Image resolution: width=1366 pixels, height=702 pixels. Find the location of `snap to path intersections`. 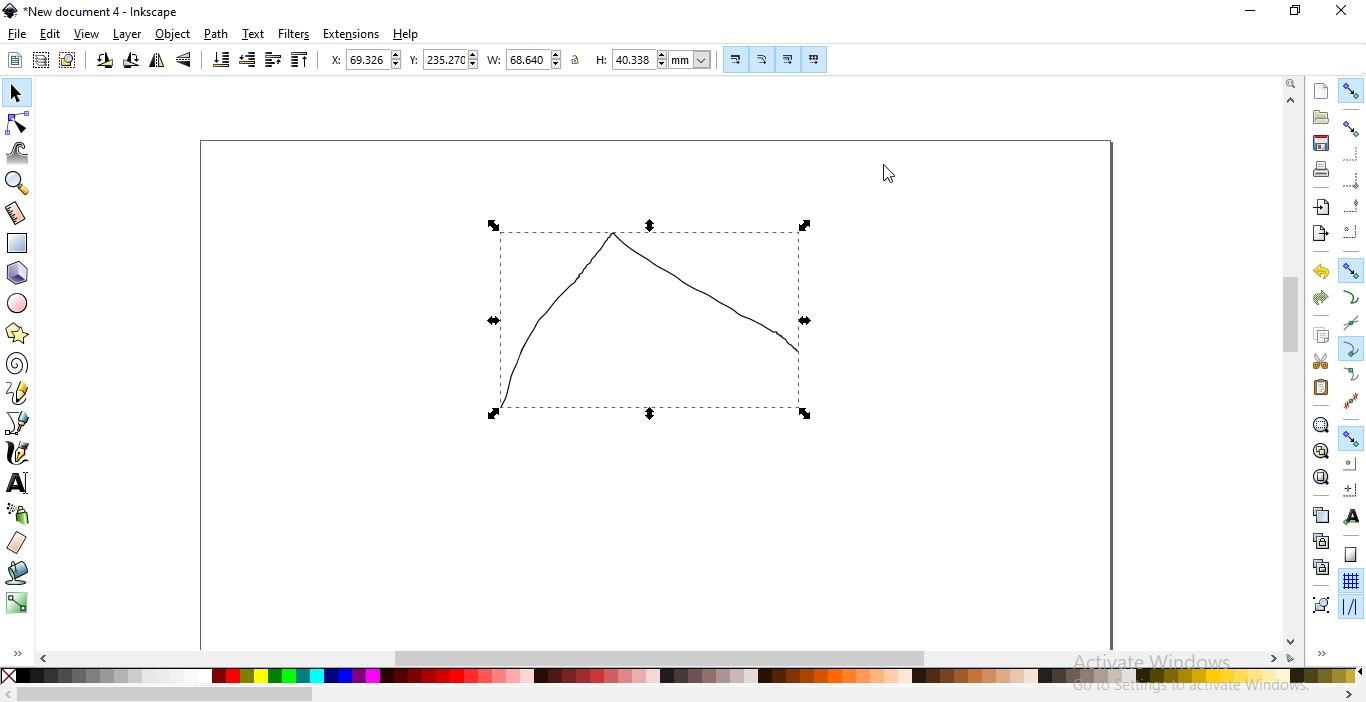

snap to path intersections is located at coordinates (1348, 322).